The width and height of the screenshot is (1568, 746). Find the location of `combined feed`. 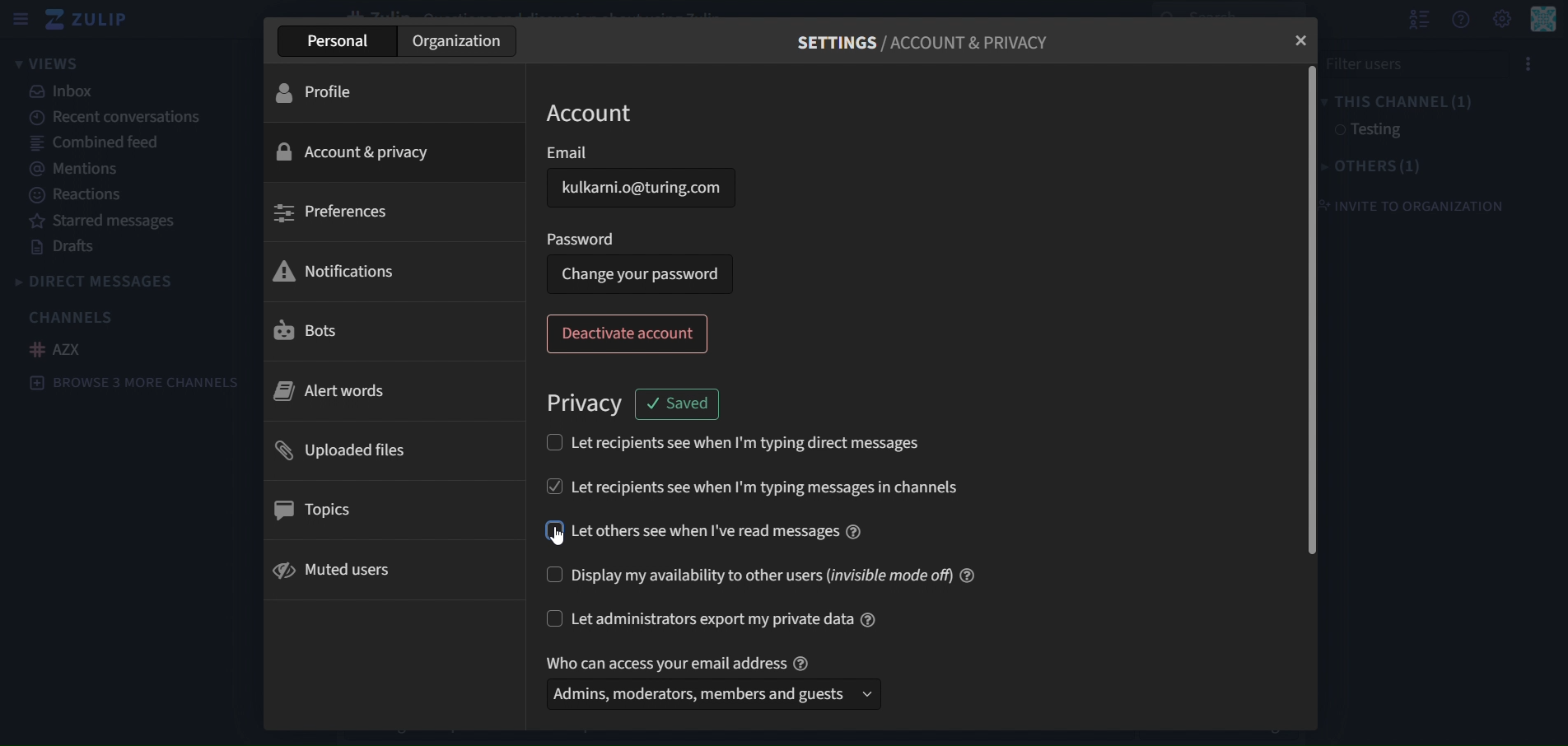

combined feed is located at coordinates (89, 142).